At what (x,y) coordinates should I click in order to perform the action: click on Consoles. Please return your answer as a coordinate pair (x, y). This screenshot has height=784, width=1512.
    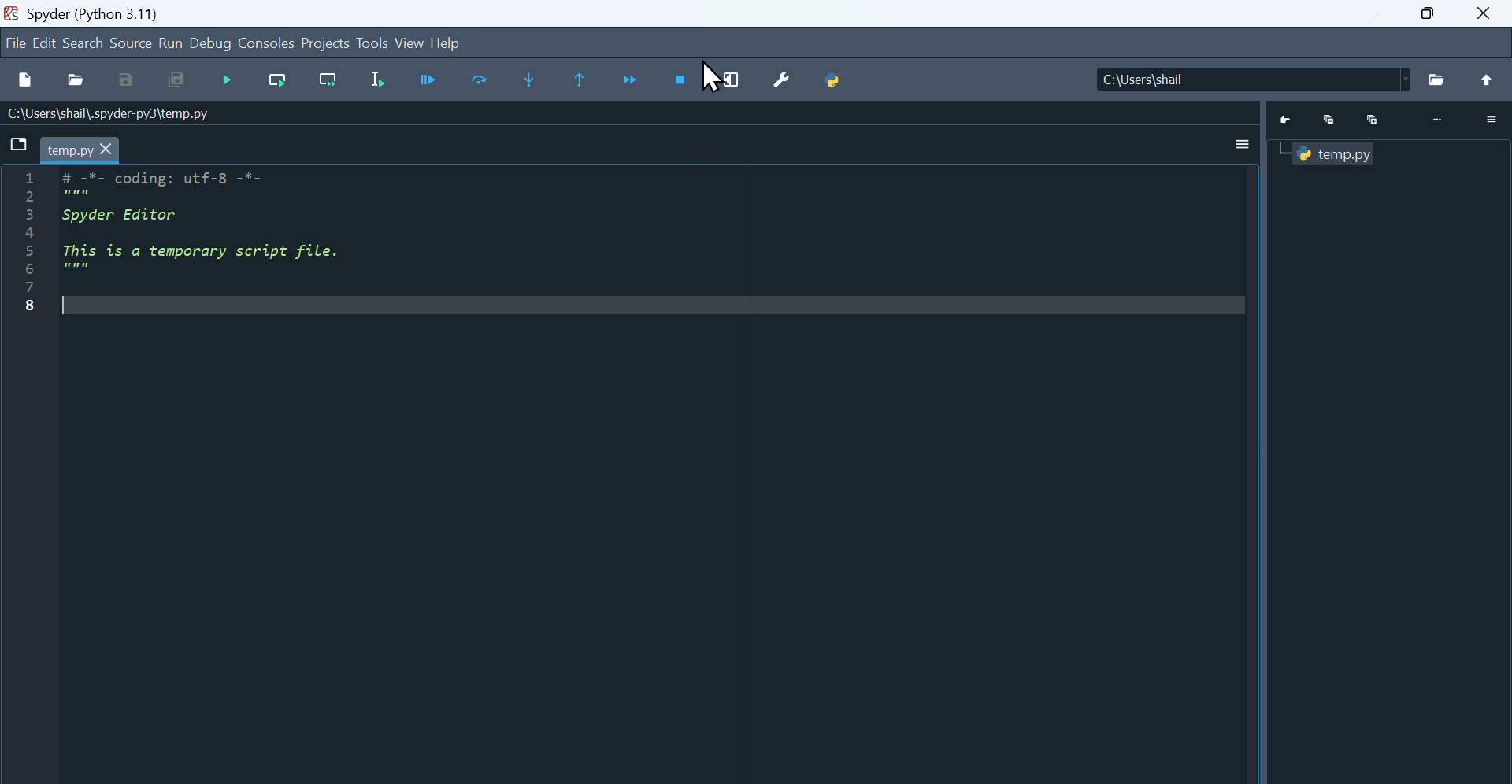
    Looking at the image, I should click on (268, 43).